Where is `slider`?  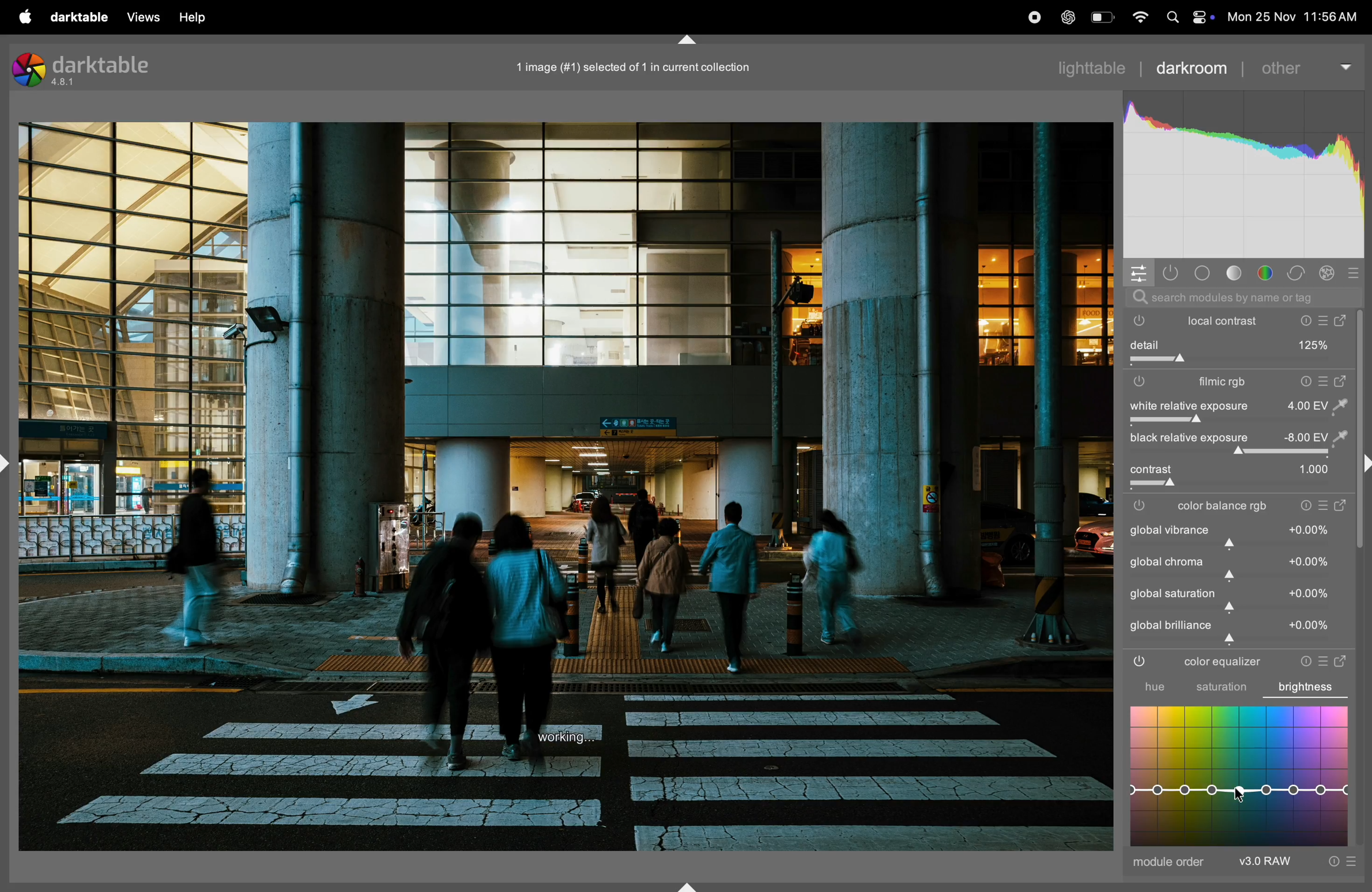 slider is located at coordinates (1237, 609).